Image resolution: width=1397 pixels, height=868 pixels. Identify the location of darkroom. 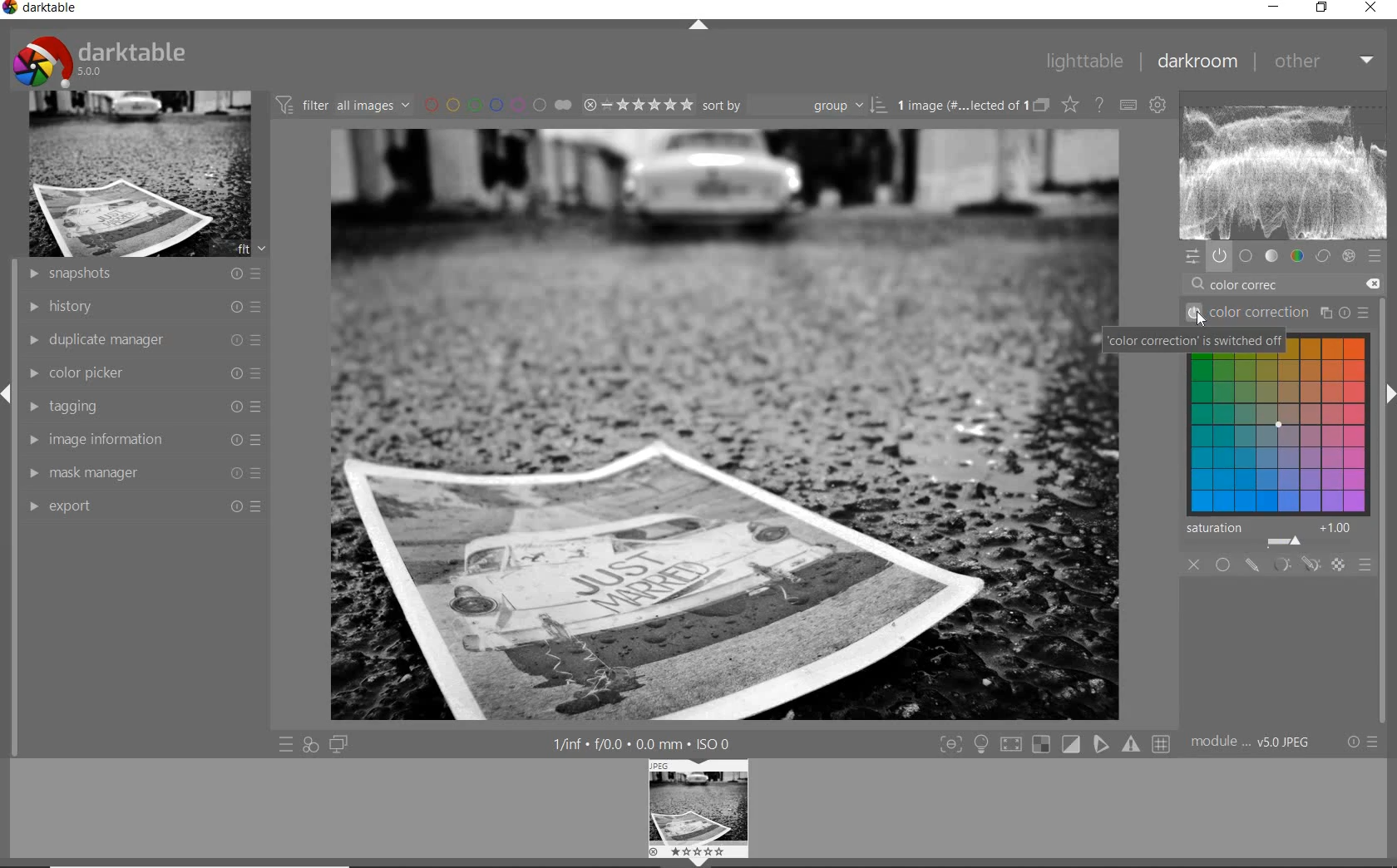
(1196, 59).